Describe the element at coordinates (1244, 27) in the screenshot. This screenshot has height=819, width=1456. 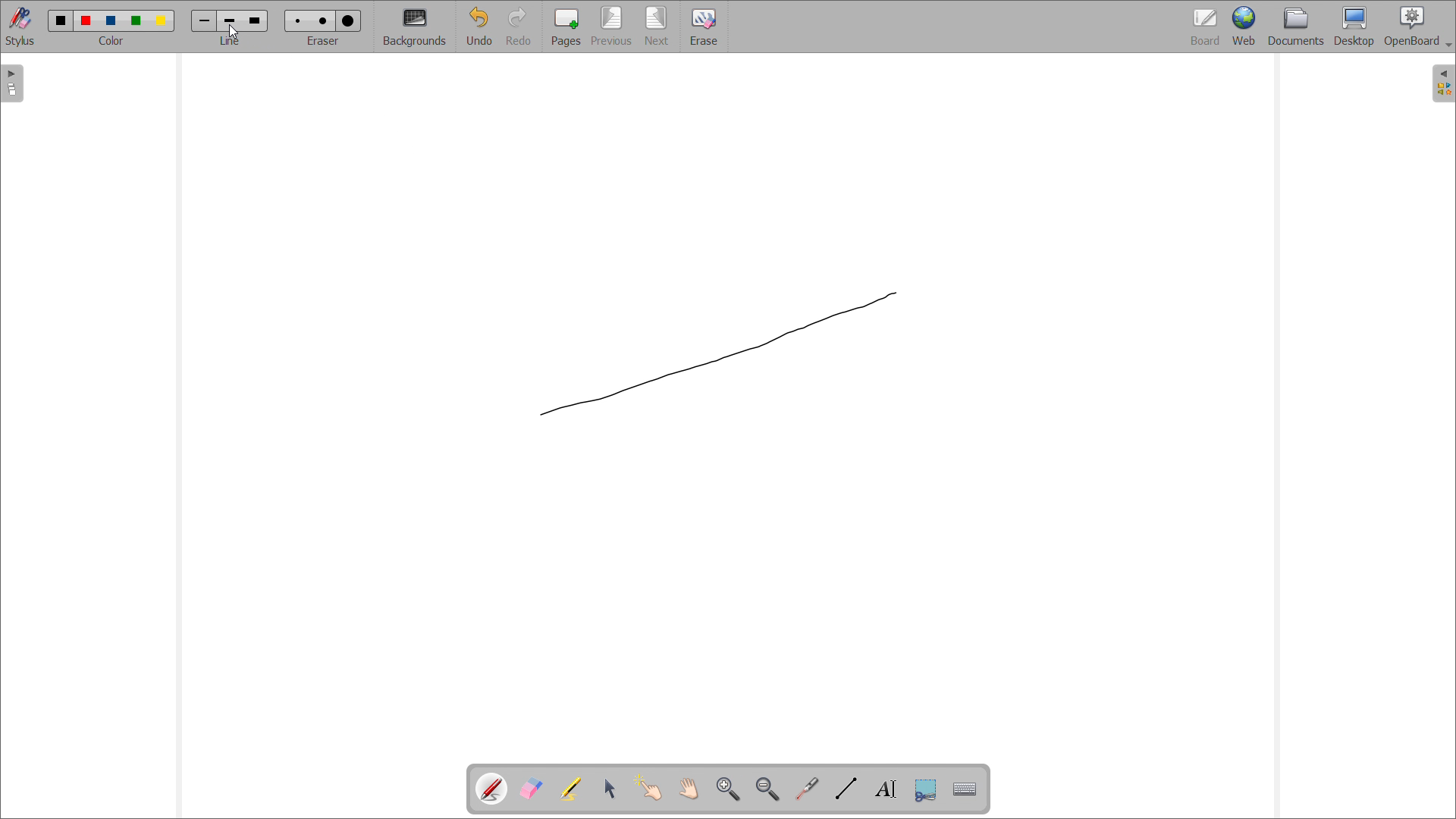
I see `web` at that location.